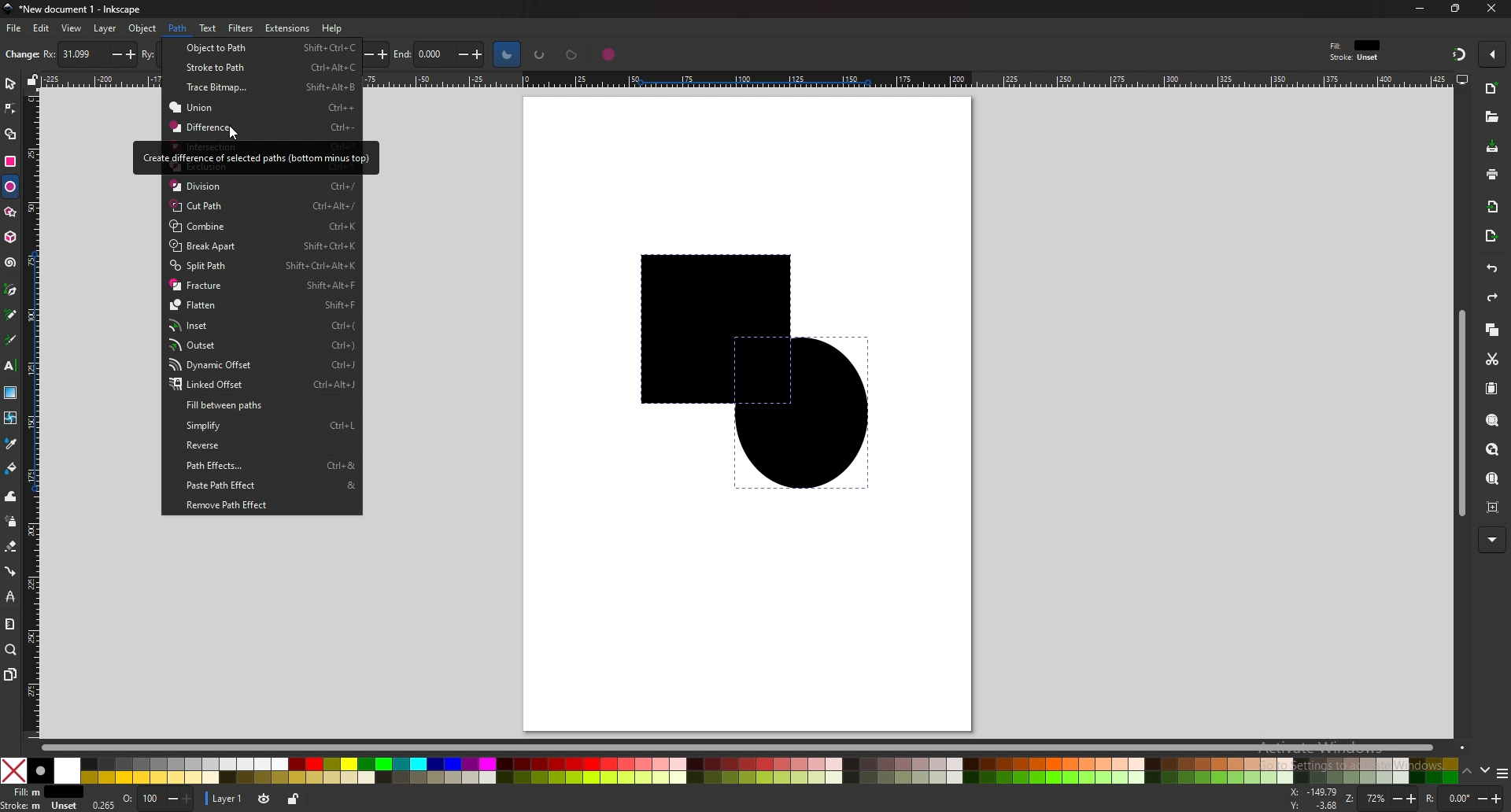  I want to click on tooltip, so click(257, 157).